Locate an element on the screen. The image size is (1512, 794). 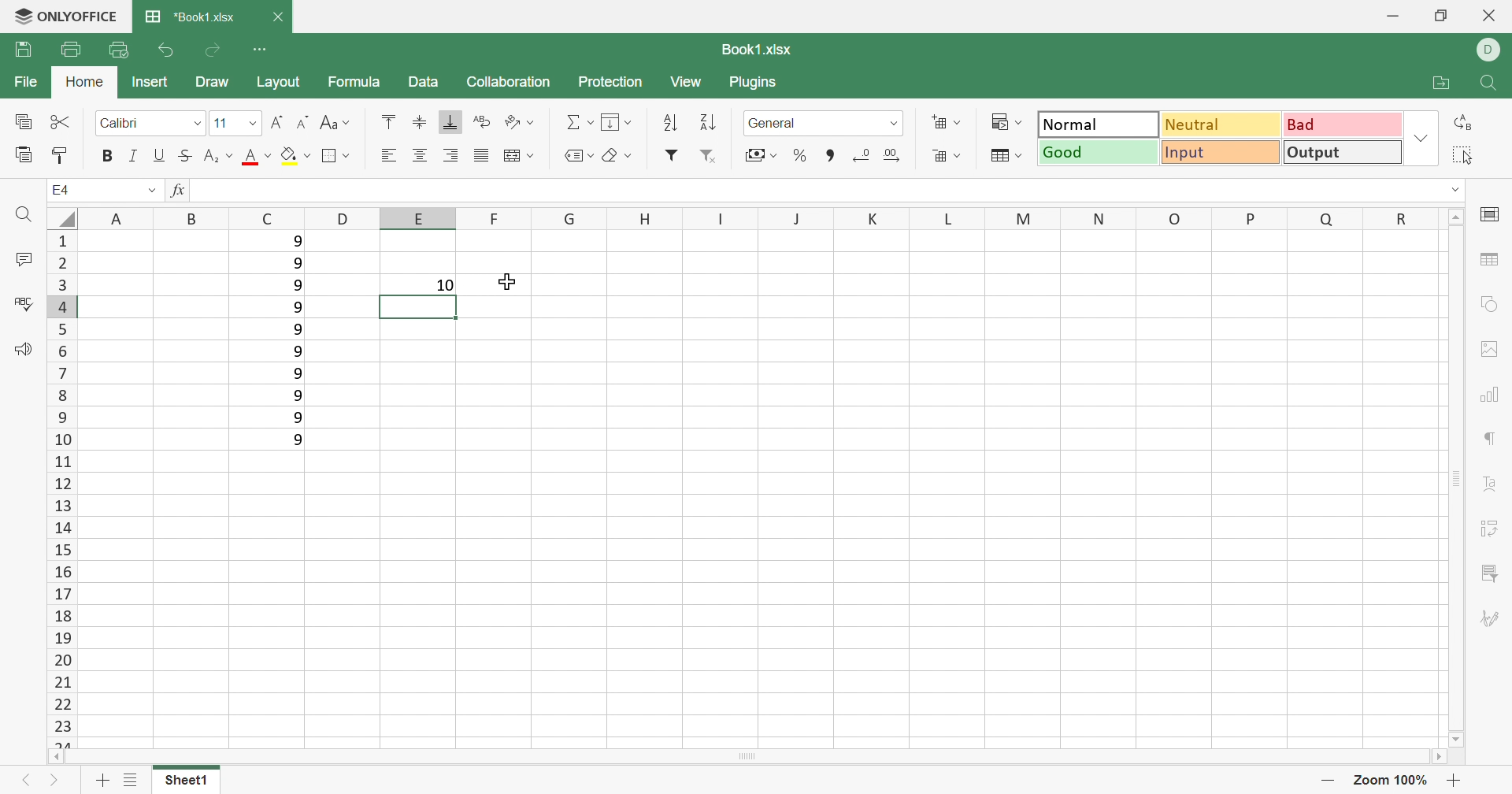
Zoom 100% is located at coordinates (1392, 781).